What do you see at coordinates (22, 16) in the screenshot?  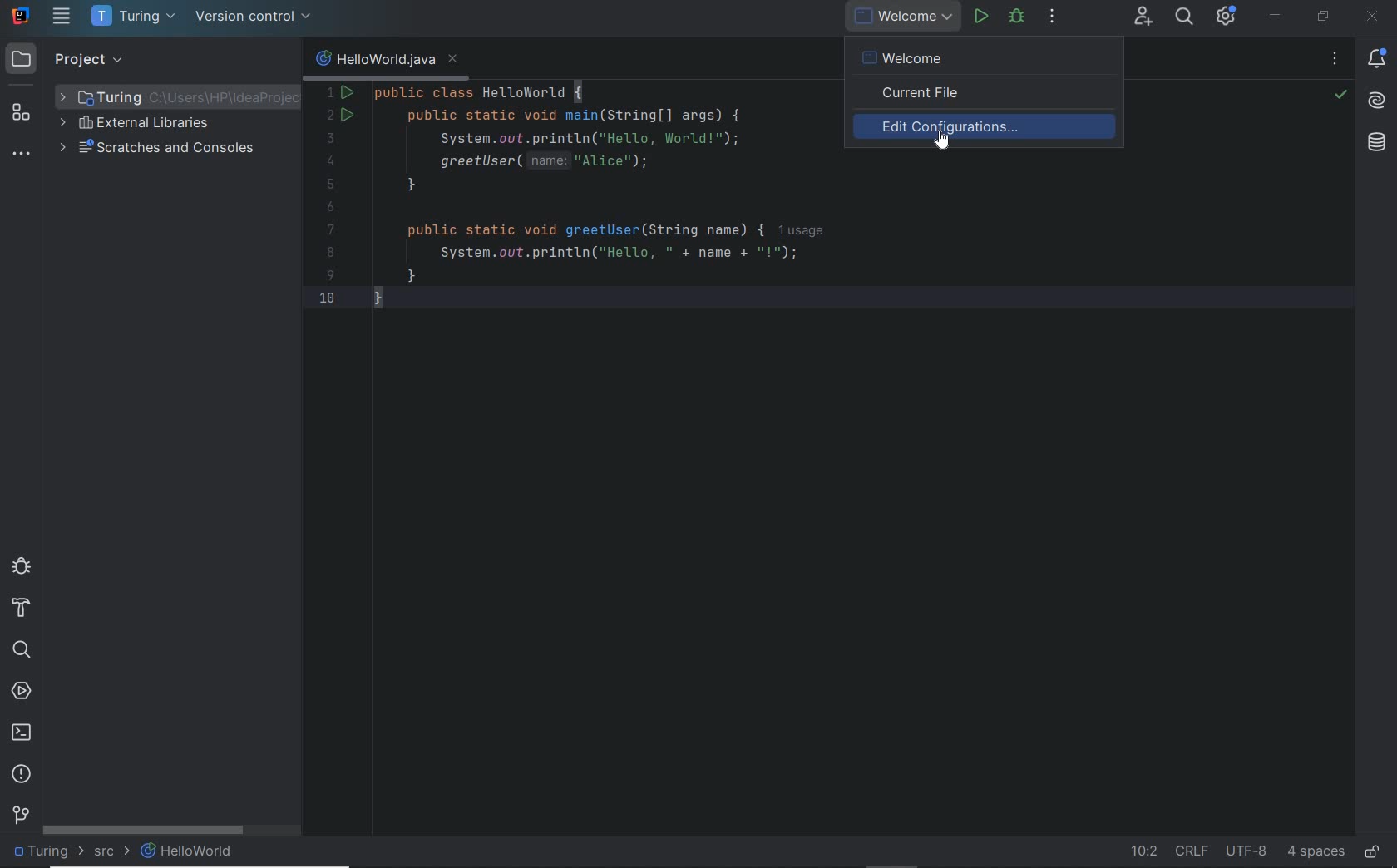 I see `system name` at bounding box center [22, 16].